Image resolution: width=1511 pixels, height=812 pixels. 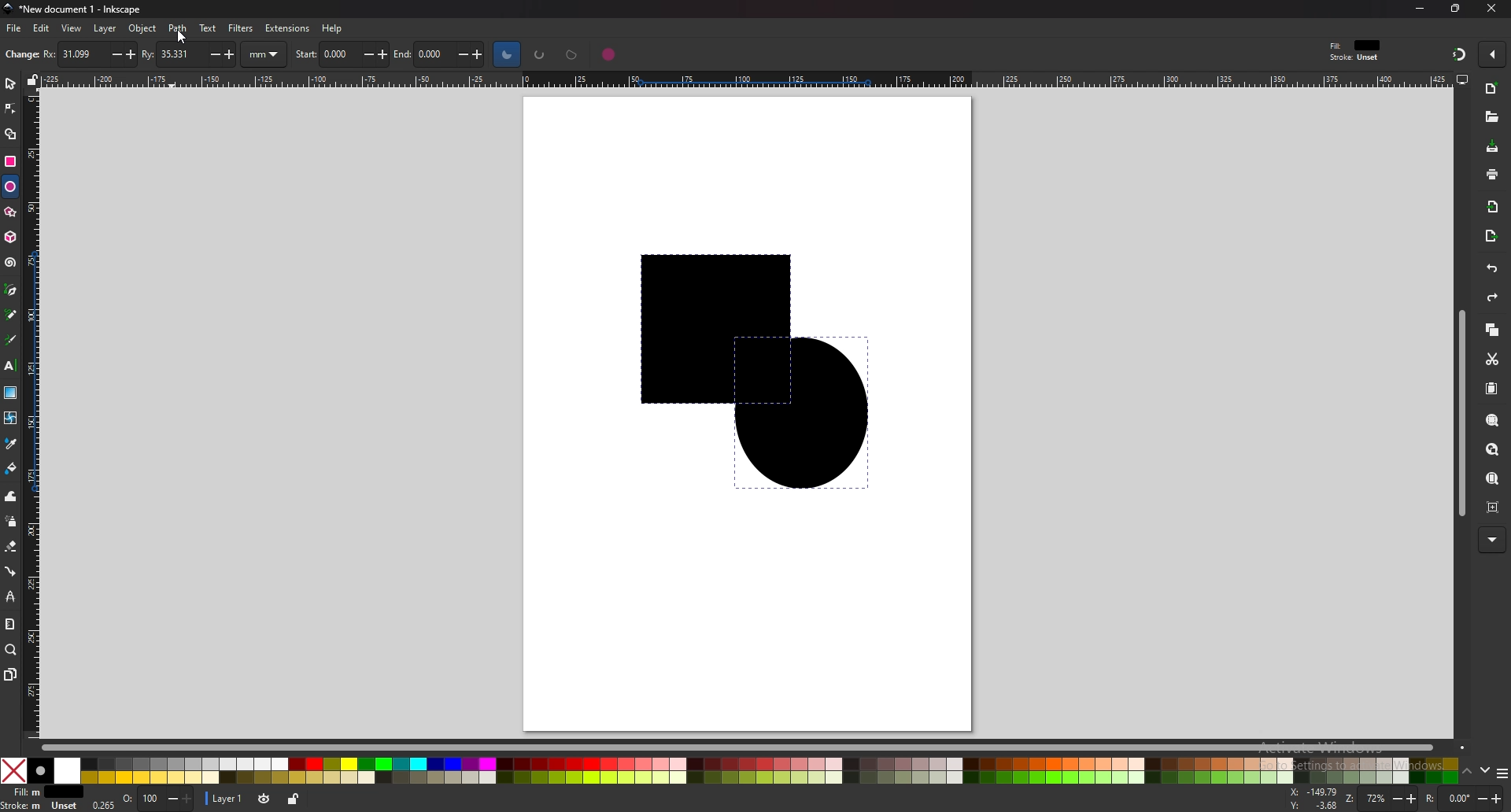 What do you see at coordinates (11, 417) in the screenshot?
I see `mesh` at bounding box center [11, 417].